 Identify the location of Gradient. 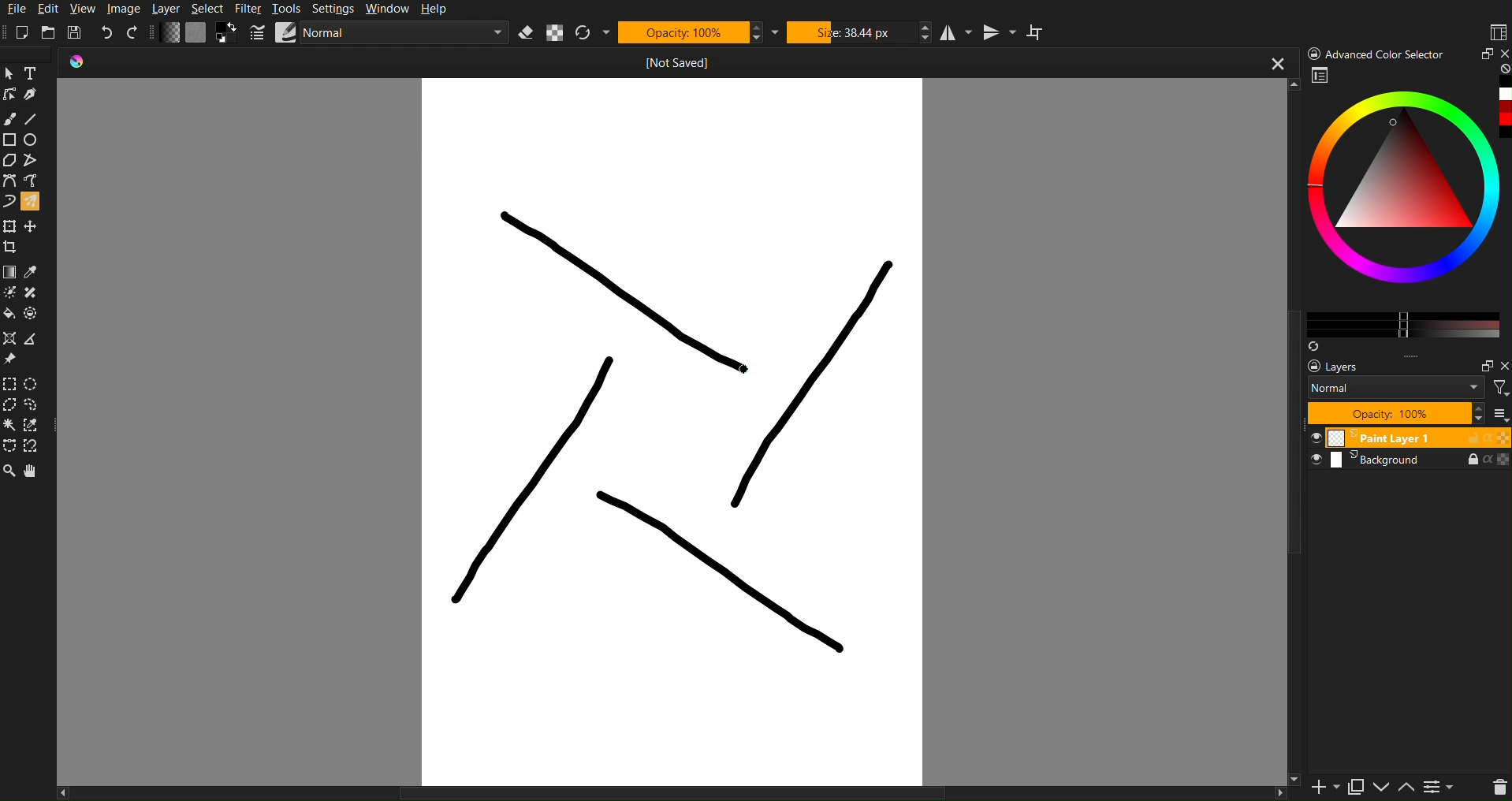
(10, 270).